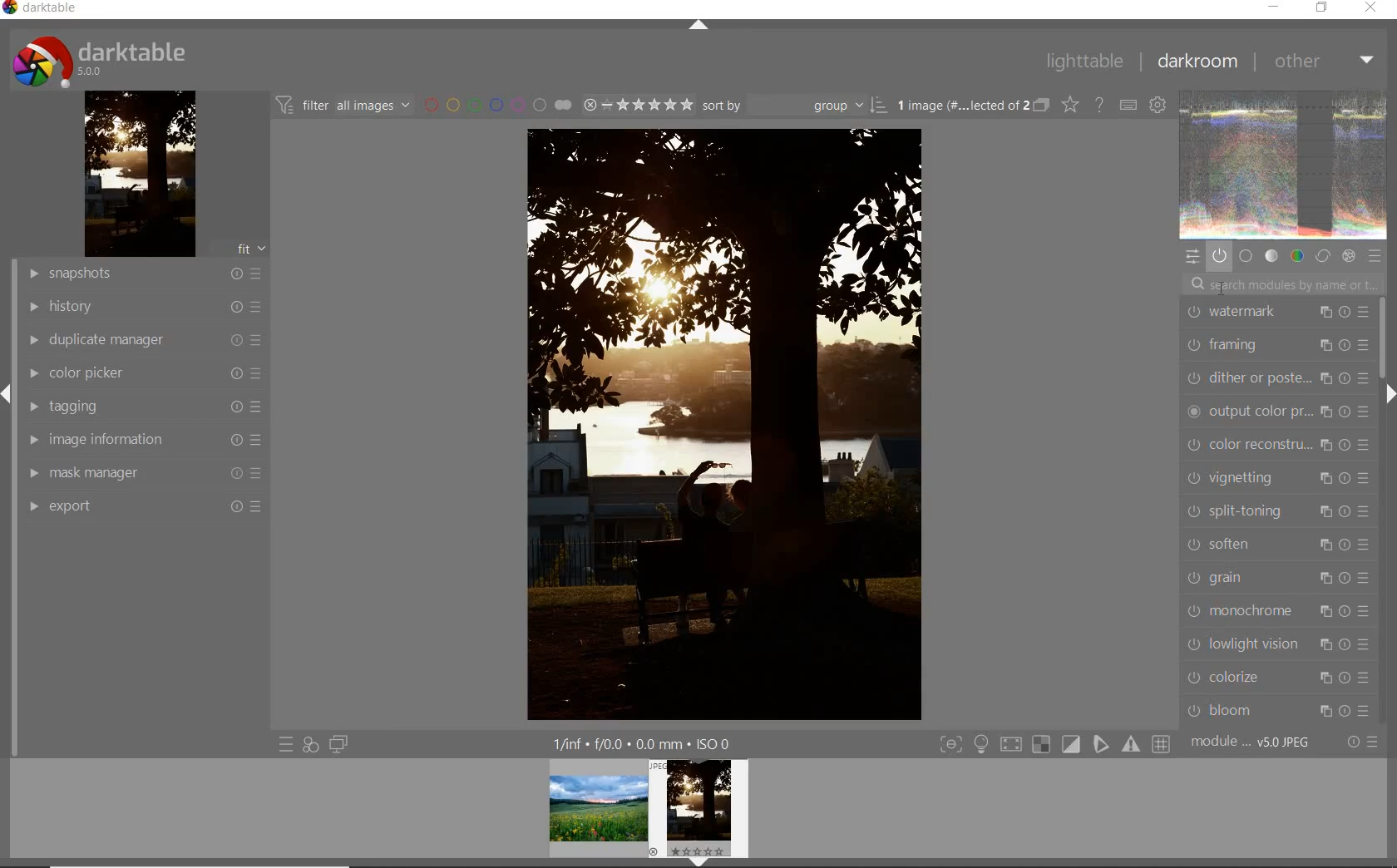  I want to click on duplicate manager, so click(137, 340).